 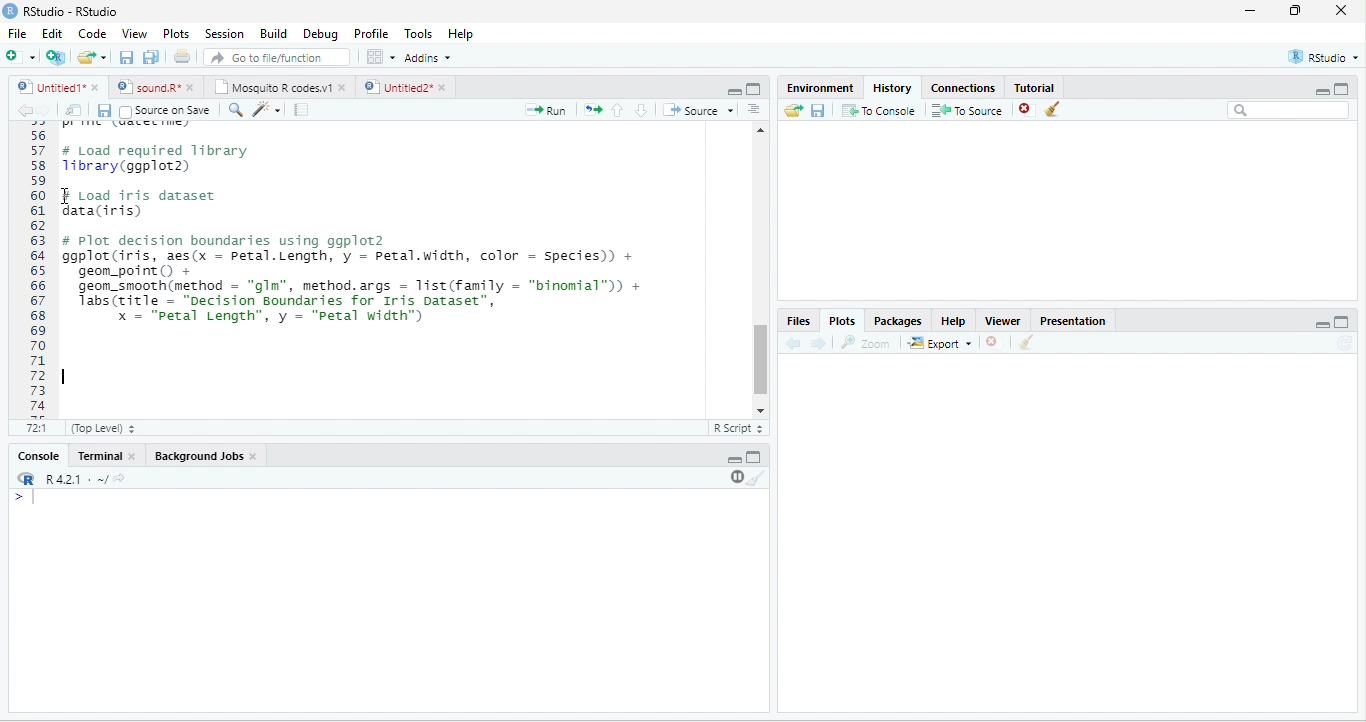 What do you see at coordinates (734, 92) in the screenshot?
I see `minimize` at bounding box center [734, 92].